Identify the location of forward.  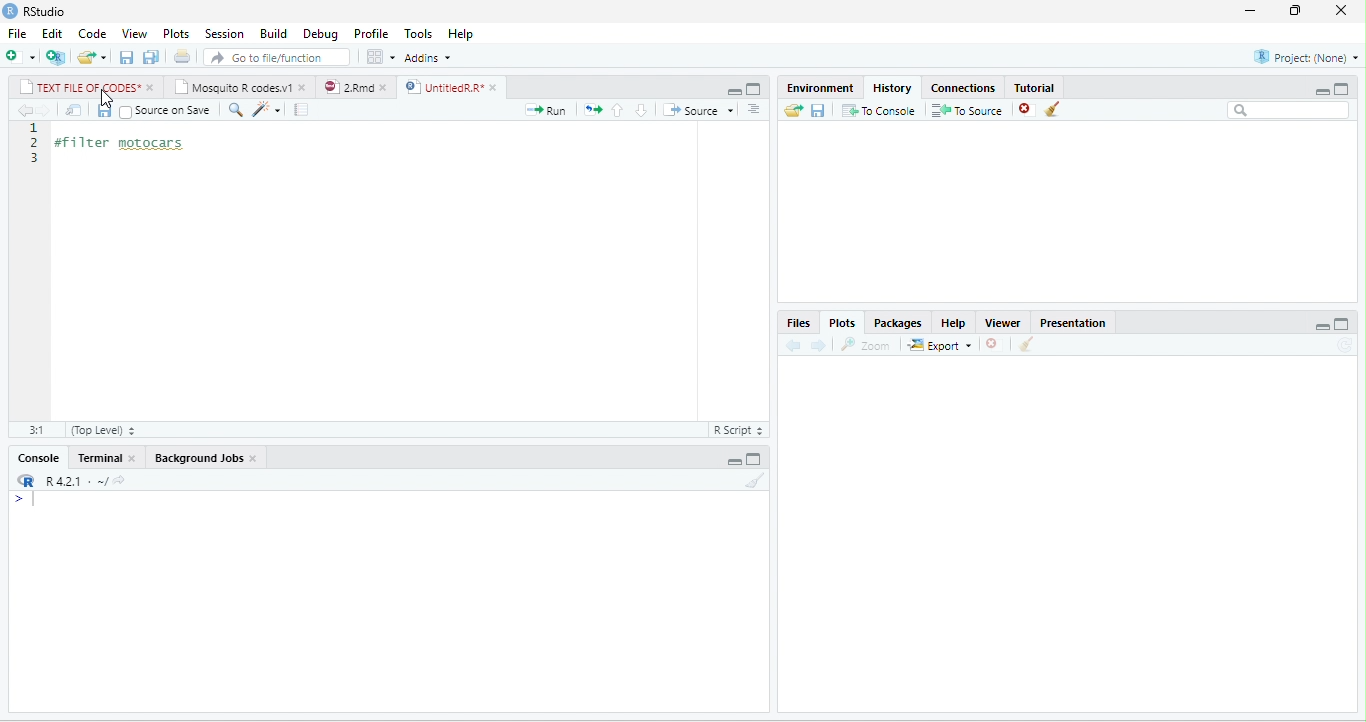
(44, 110).